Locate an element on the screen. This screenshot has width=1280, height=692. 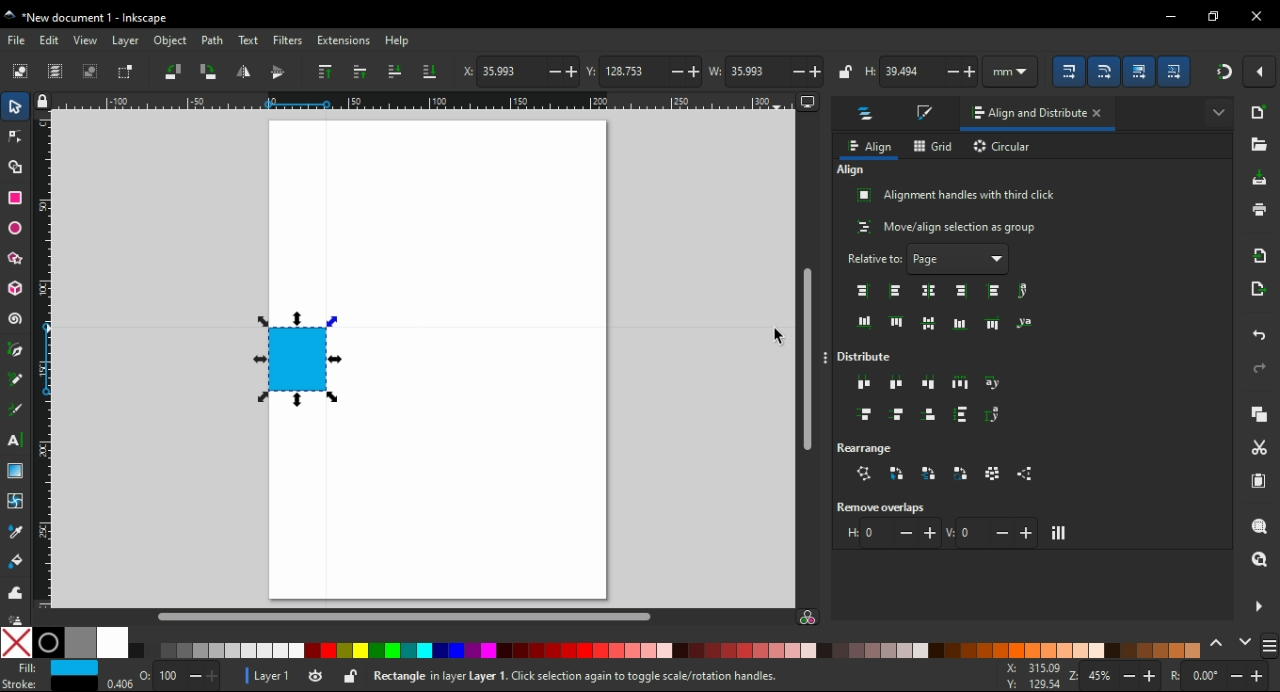
next is located at coordinates (1245, 642).